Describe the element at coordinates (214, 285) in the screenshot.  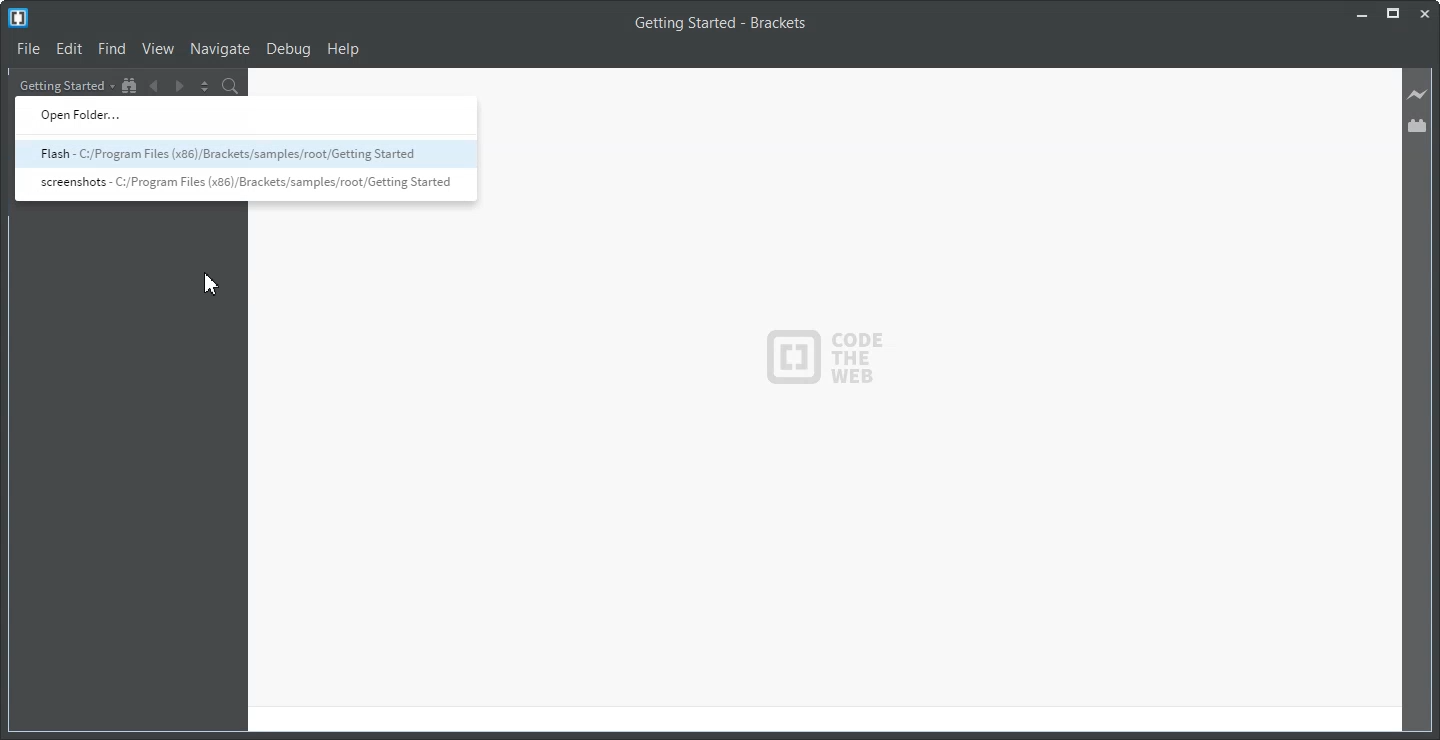
I see `Cursor` at that location.